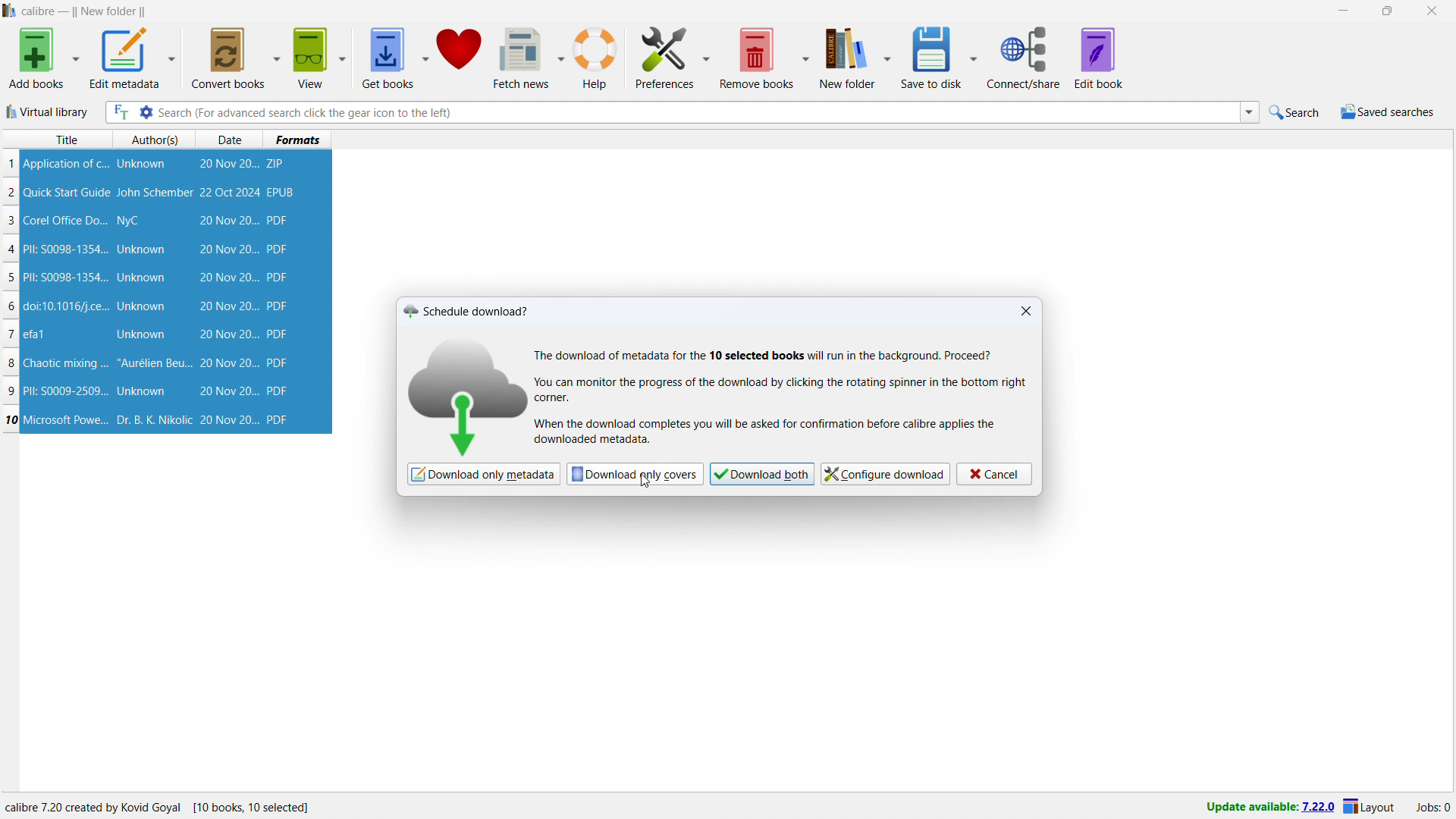  Describe the element at coordinates (975, 57) in the screenshot. I see `save to disk options` at that location.